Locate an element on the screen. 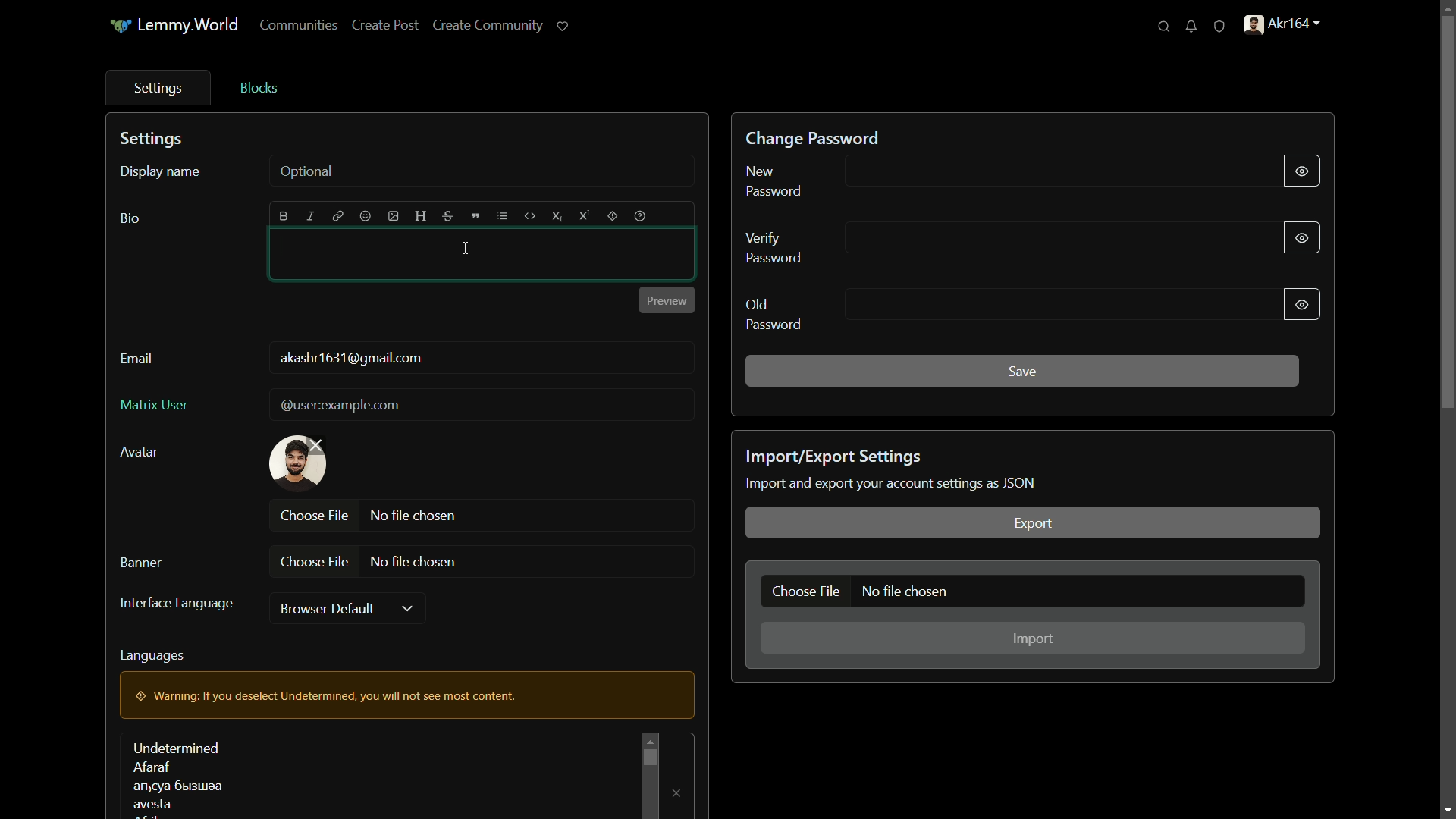 The image size is (1456, 819). help is located at coordinates (640, 217).